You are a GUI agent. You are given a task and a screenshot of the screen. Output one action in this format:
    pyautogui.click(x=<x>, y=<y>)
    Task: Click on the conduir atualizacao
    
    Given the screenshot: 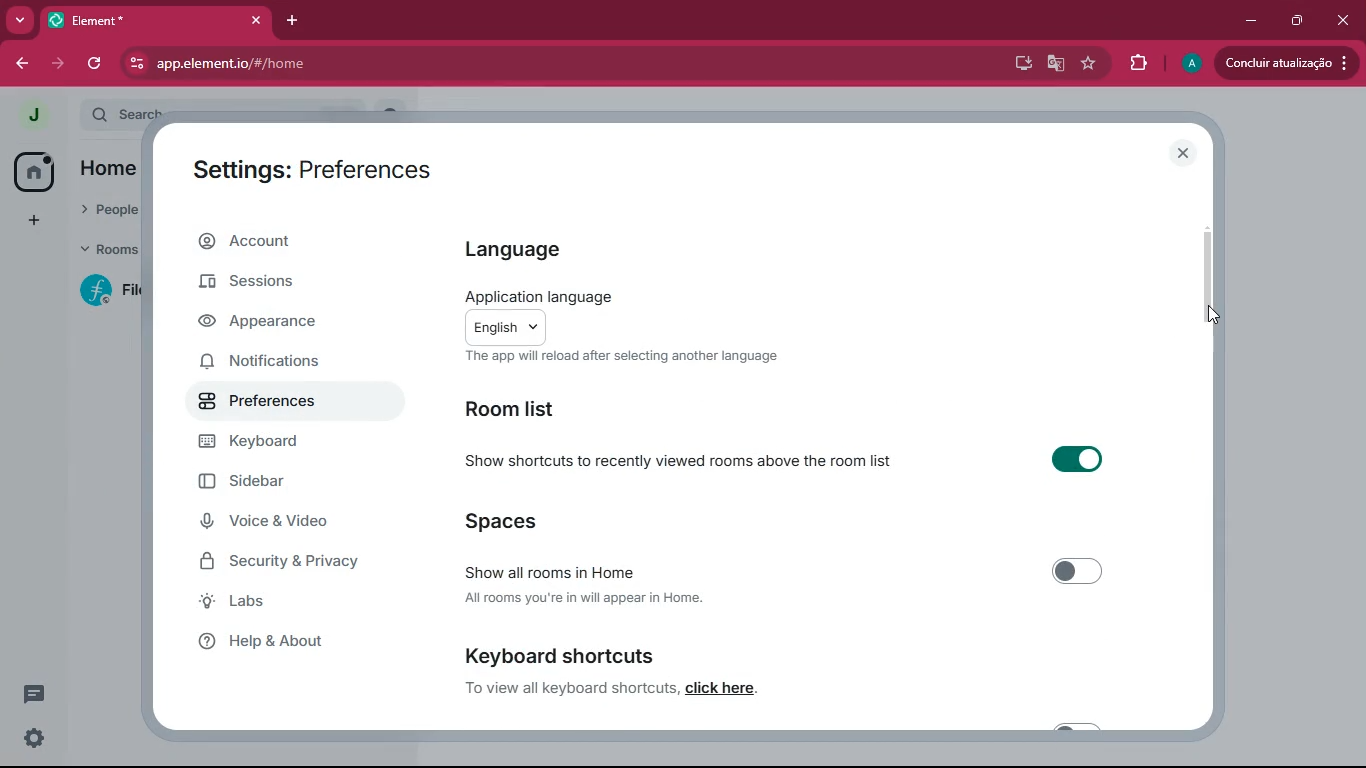 What is the action you would take?
    pyautogui.click(x=1287, y=62)
    